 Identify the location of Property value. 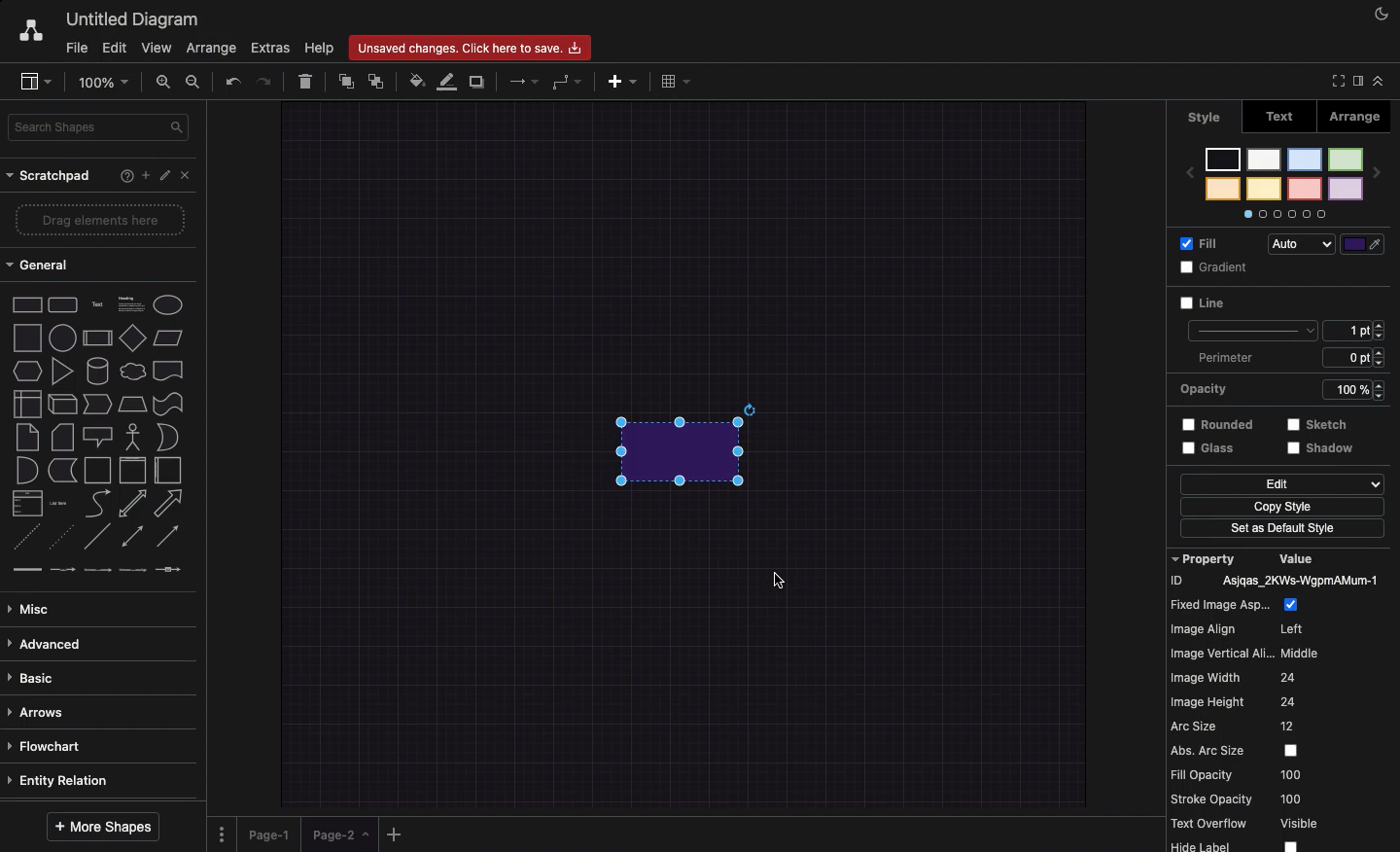
(1283, 700).